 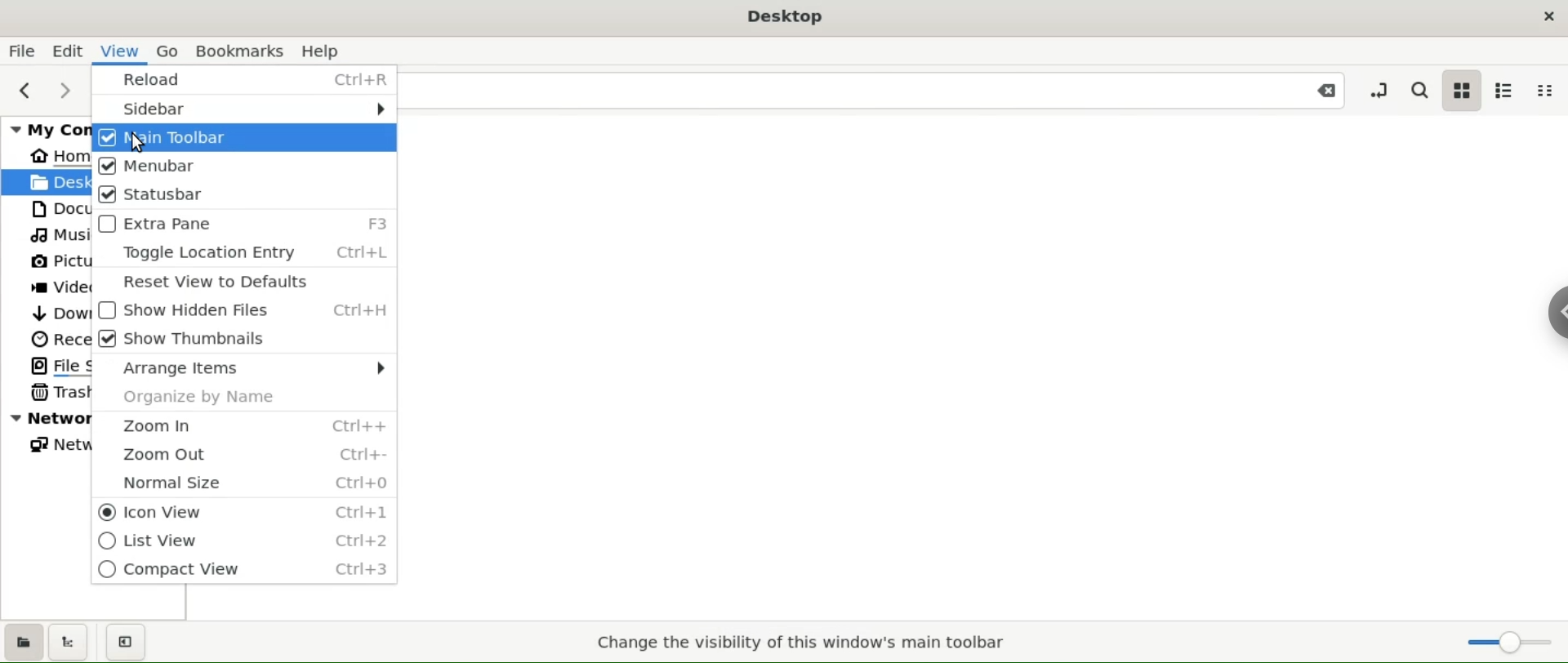 What do you see at coordinates (328, 51) in the screenshot?
I see `help` at bounding box center [328, 51].